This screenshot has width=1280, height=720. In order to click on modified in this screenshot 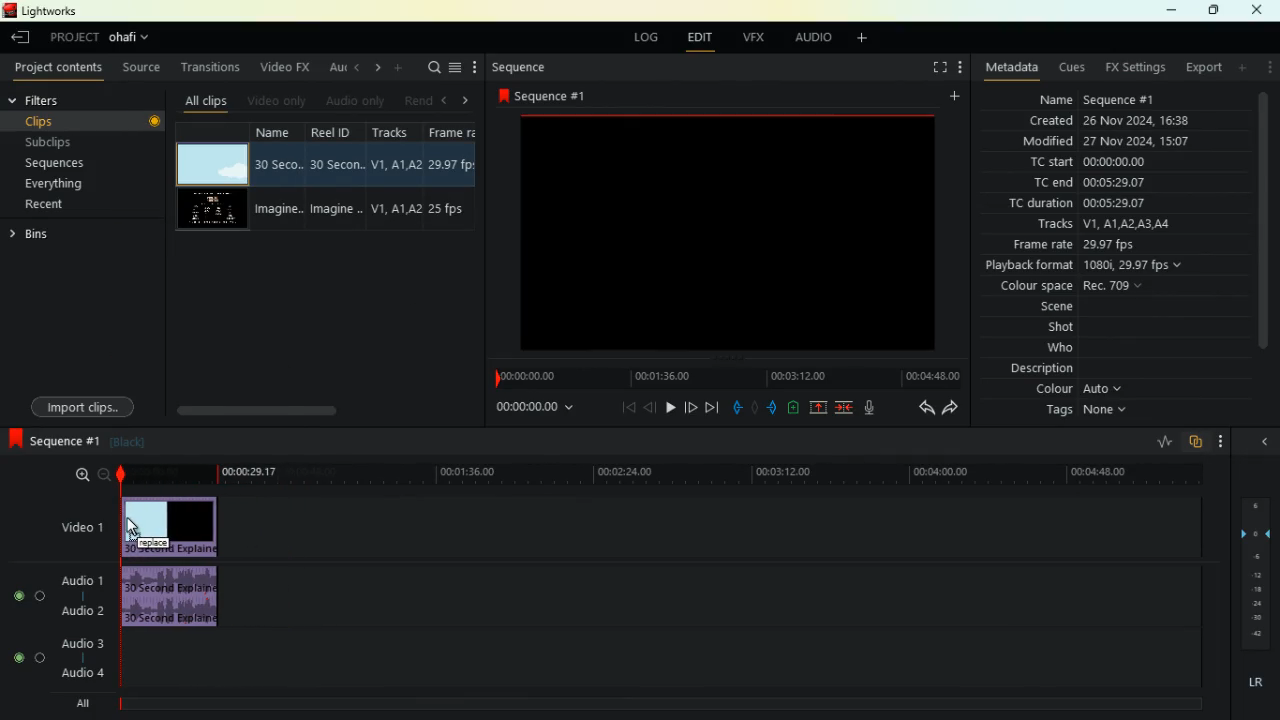, I will do `click(1051, 140)`.